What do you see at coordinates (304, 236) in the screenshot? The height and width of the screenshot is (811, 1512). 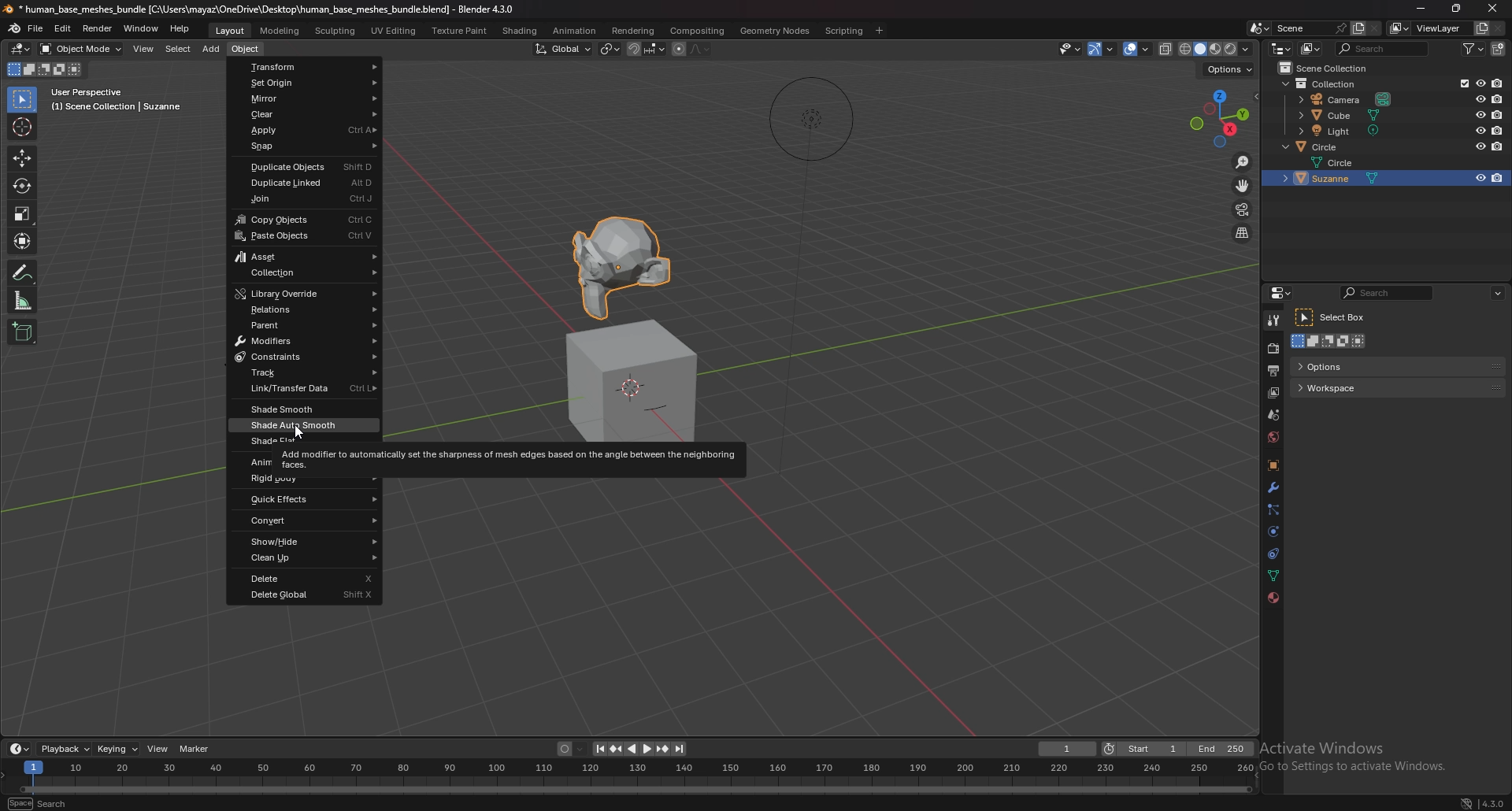 I see `paste objects` at bounding box center [304, 236].